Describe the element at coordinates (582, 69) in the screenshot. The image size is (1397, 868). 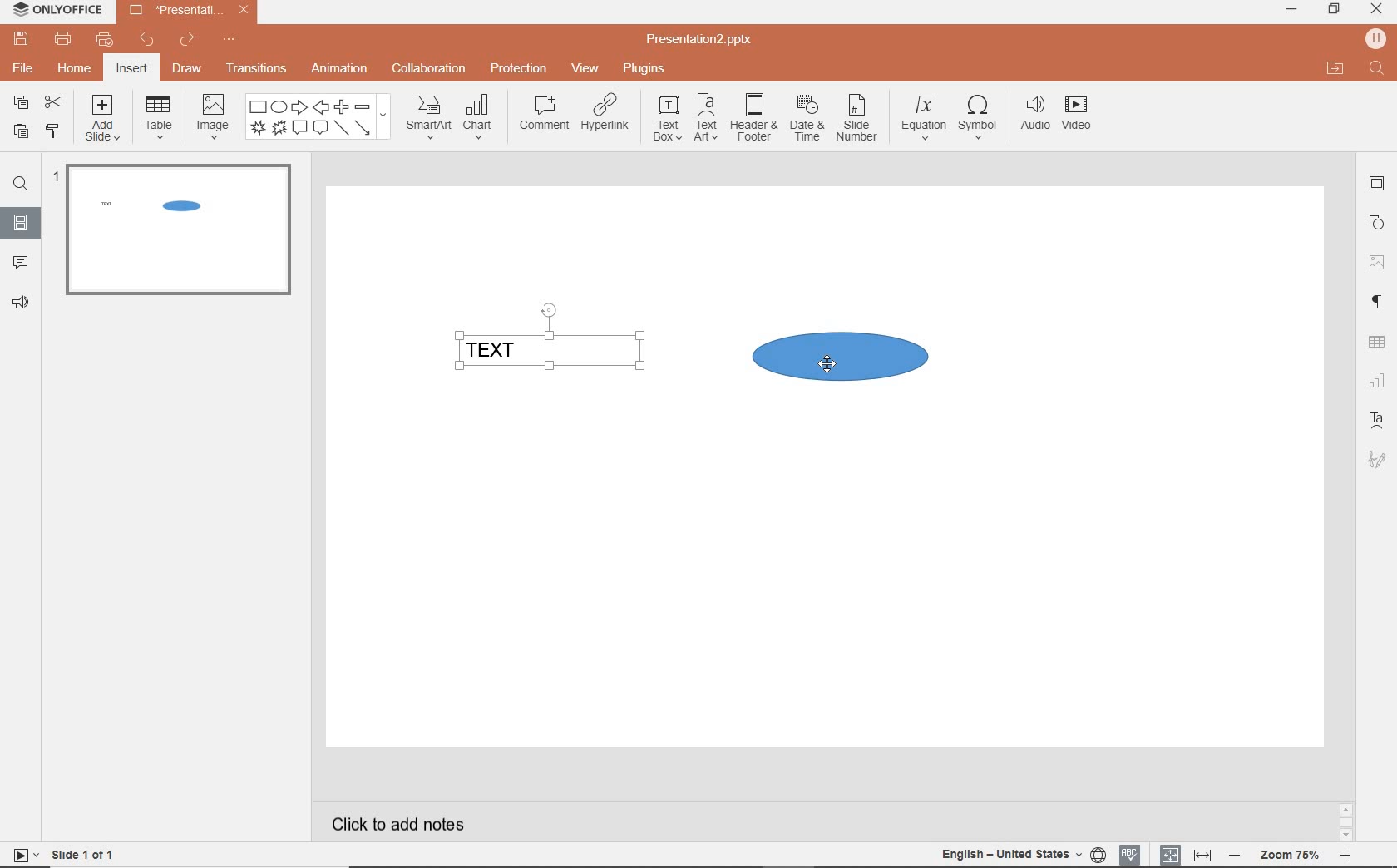
I see `view` at that location.